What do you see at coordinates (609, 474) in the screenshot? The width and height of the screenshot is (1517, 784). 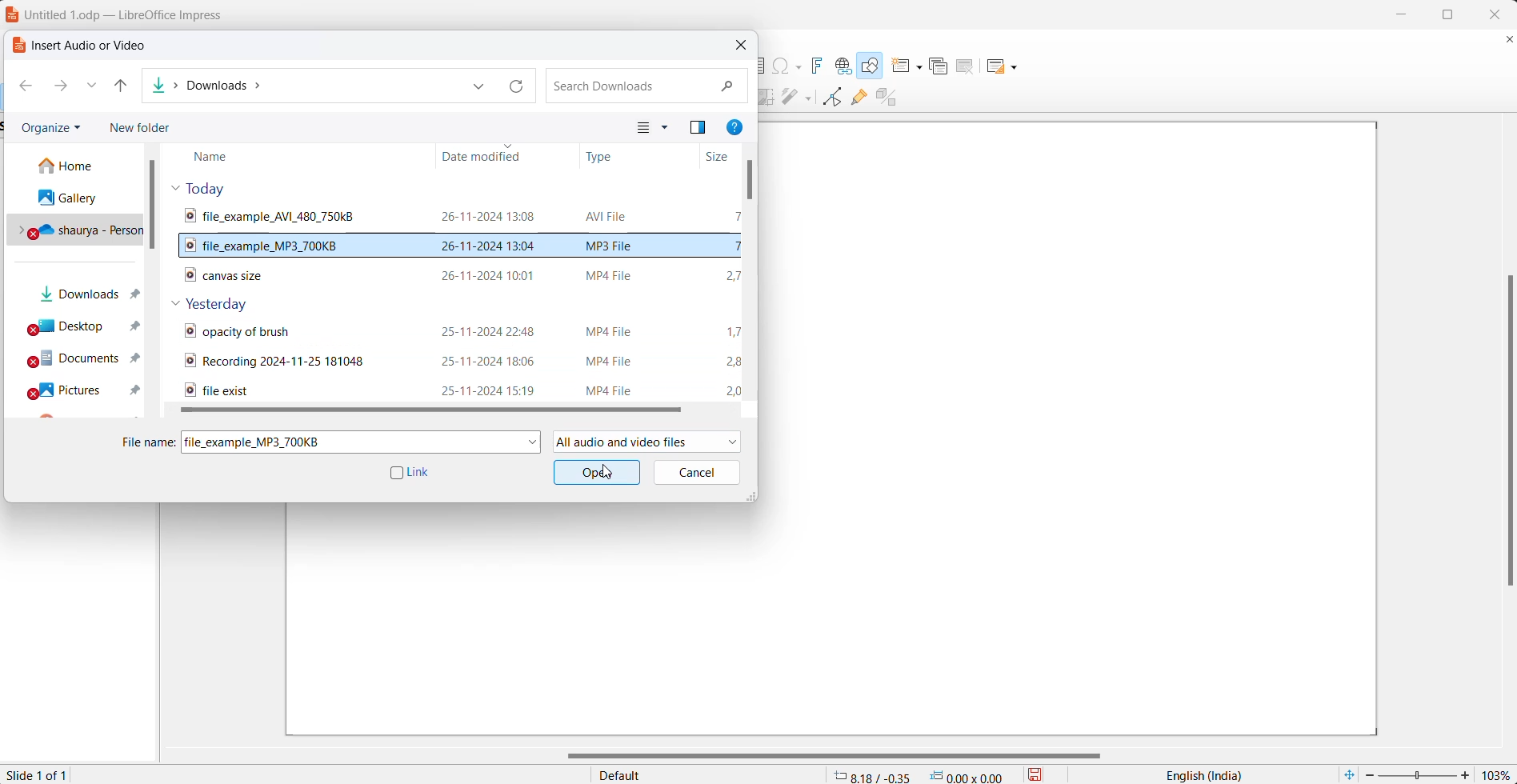 I see `cursor` at bounding box center [609, 474].